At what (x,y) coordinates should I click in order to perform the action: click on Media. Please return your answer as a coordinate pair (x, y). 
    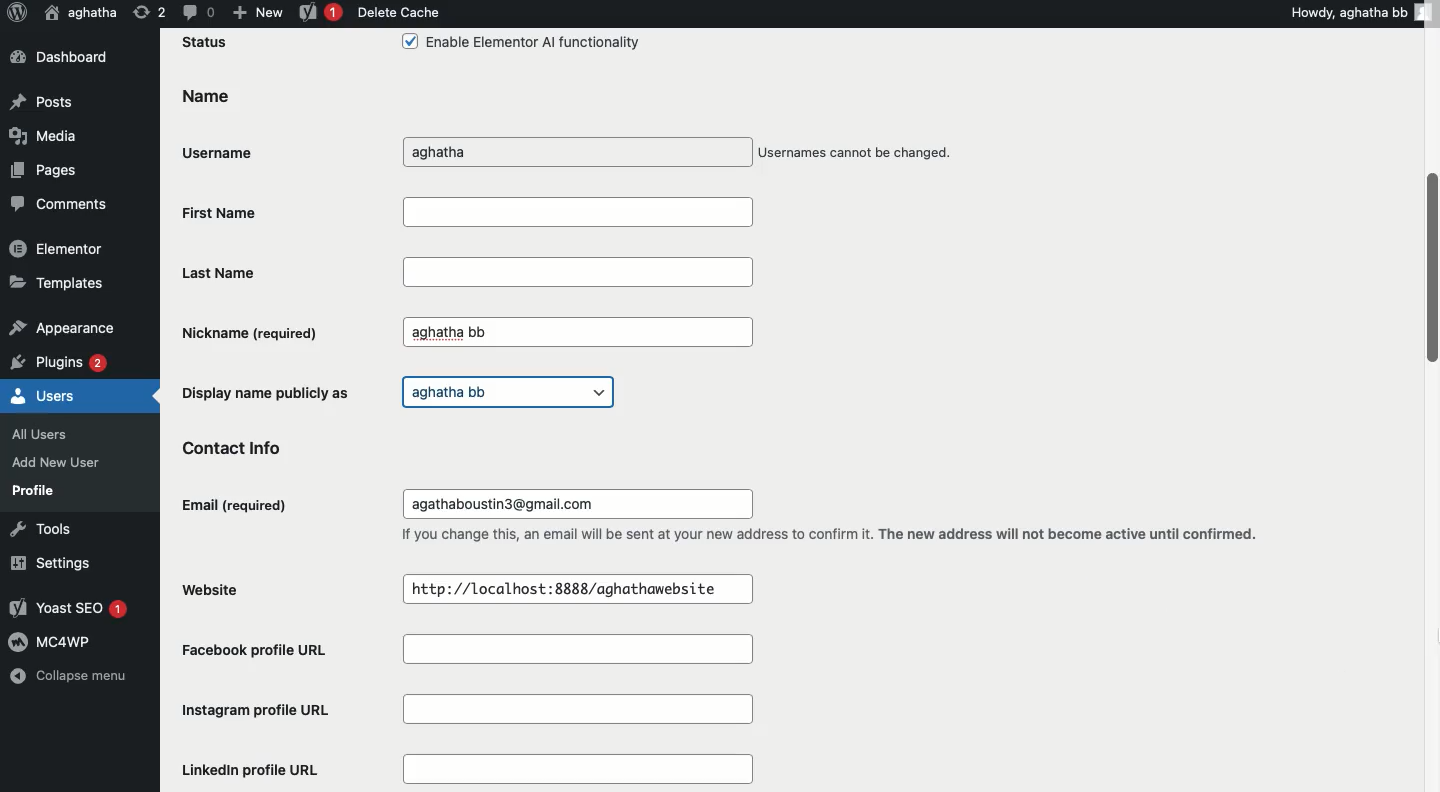
    Looking at the image, I should click on (41, 135).